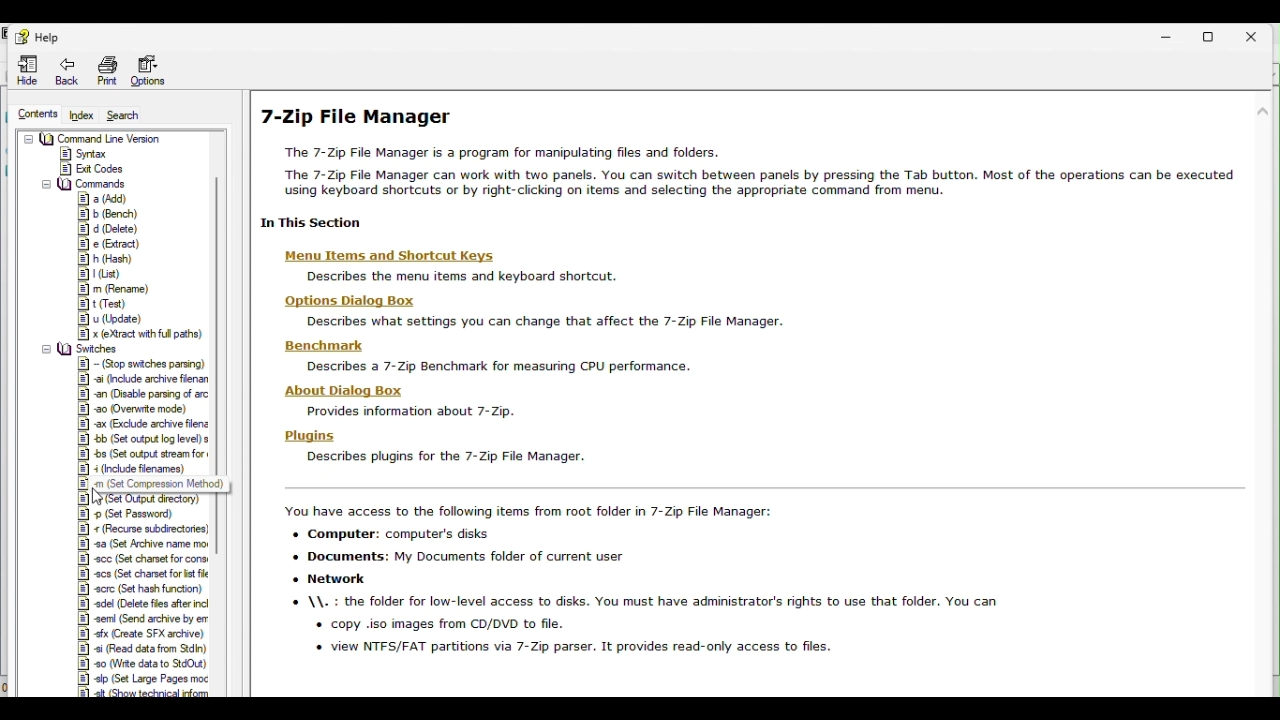 The width and height of the screenshot is (1280, 720). I want to click on bb, so click(141, 438).